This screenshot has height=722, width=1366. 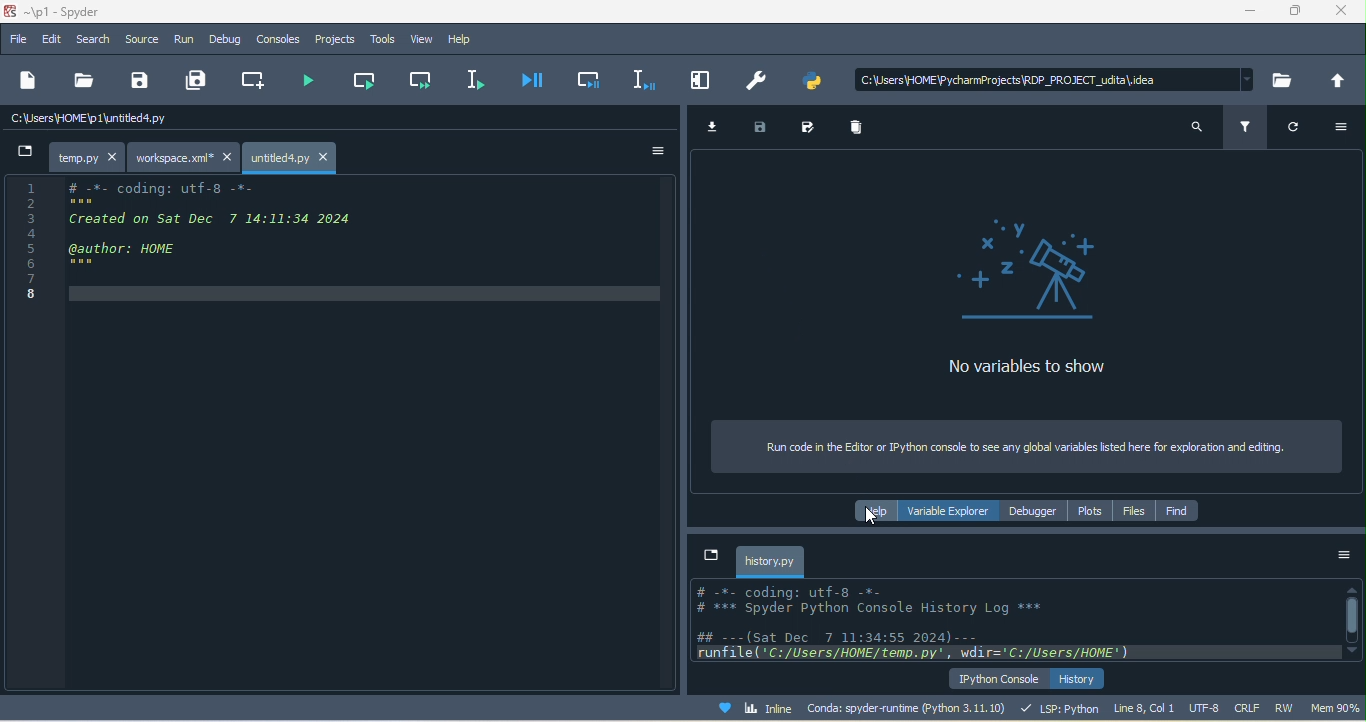 I want to click on maximize current pane, so click(x=702, y=79).